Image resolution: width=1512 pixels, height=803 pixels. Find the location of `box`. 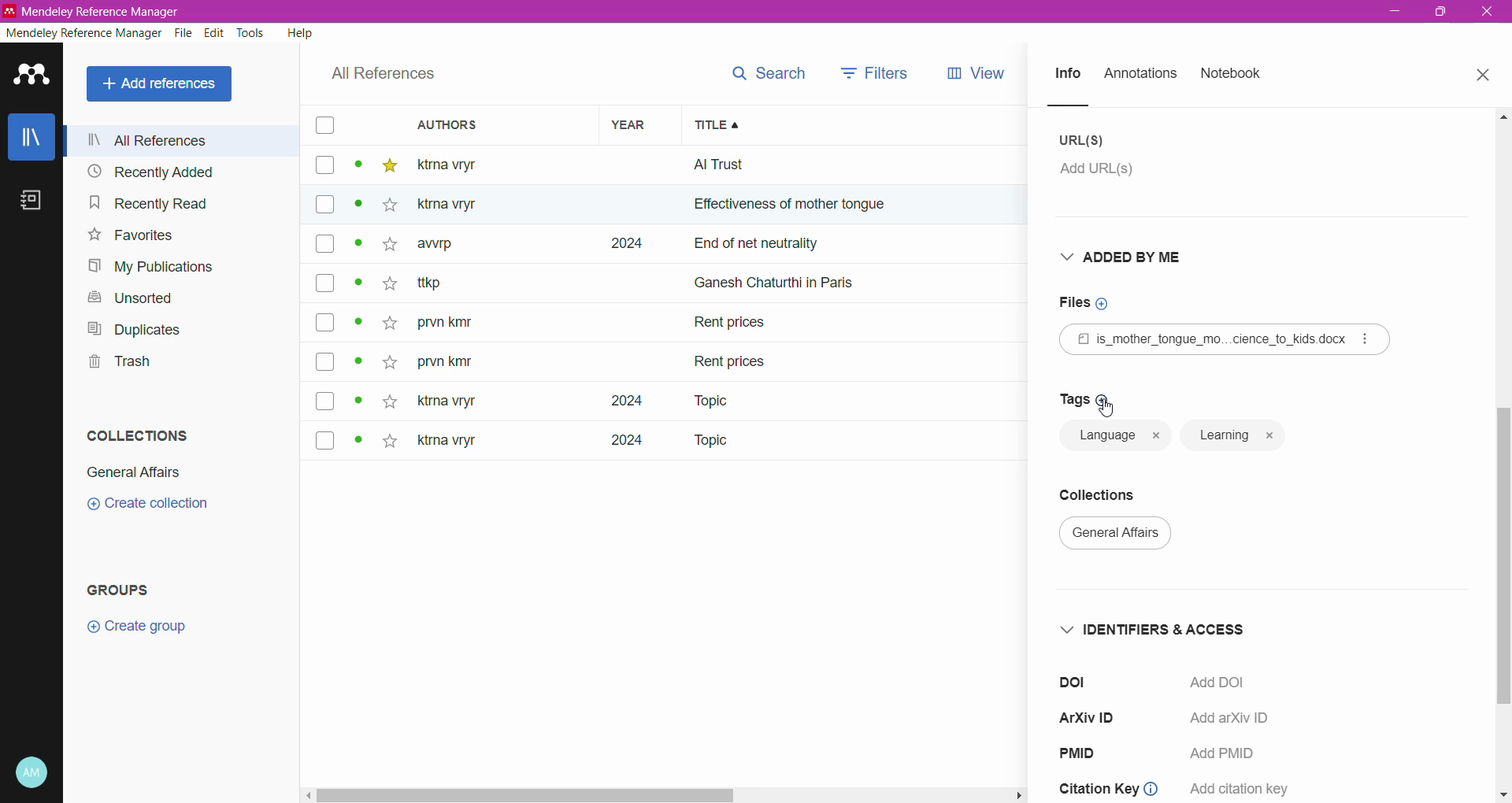

box is located at coordinates (325, 439).